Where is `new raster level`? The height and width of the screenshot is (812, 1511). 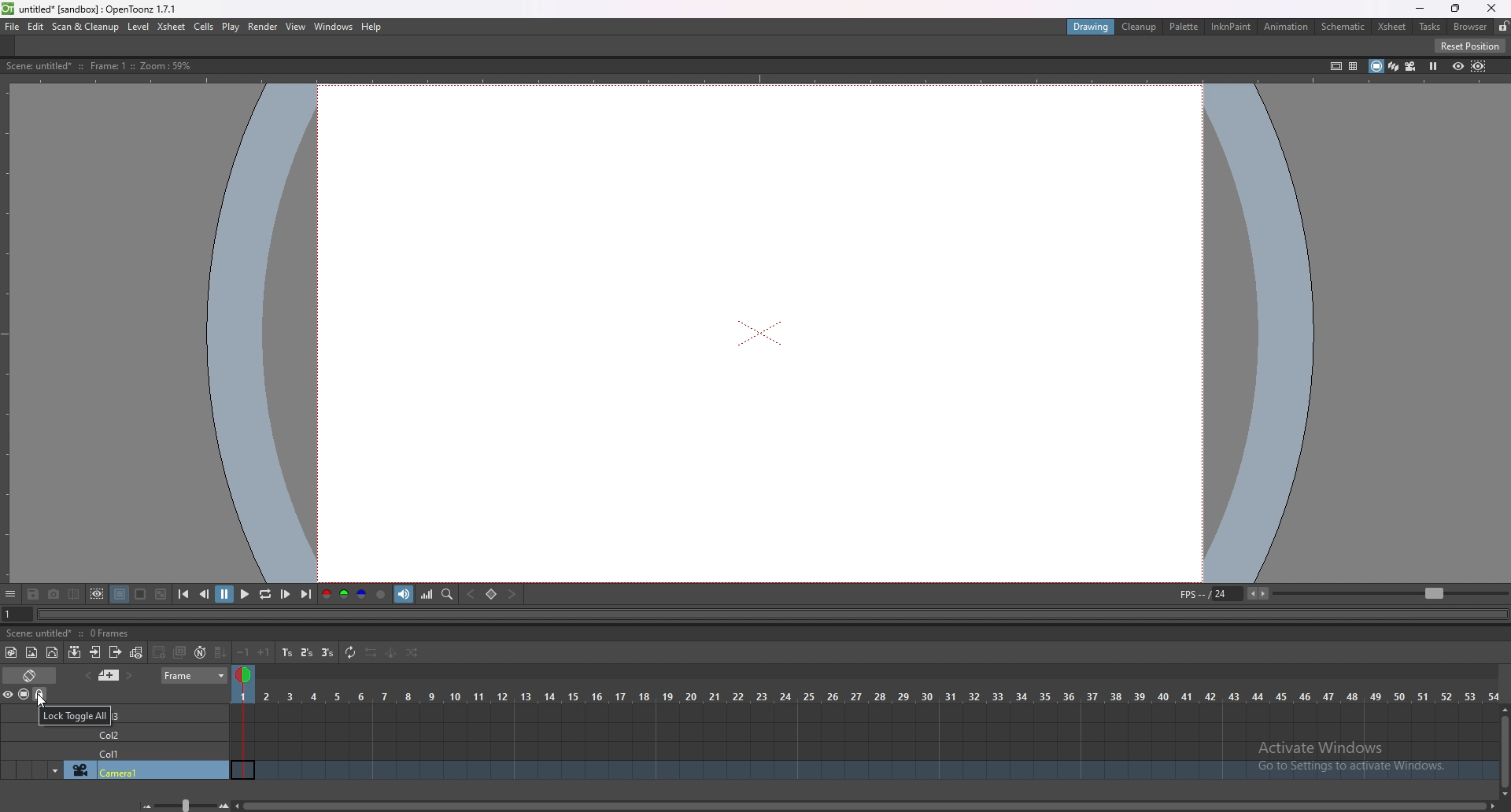
new raster level is located at coordinates (31, 652).